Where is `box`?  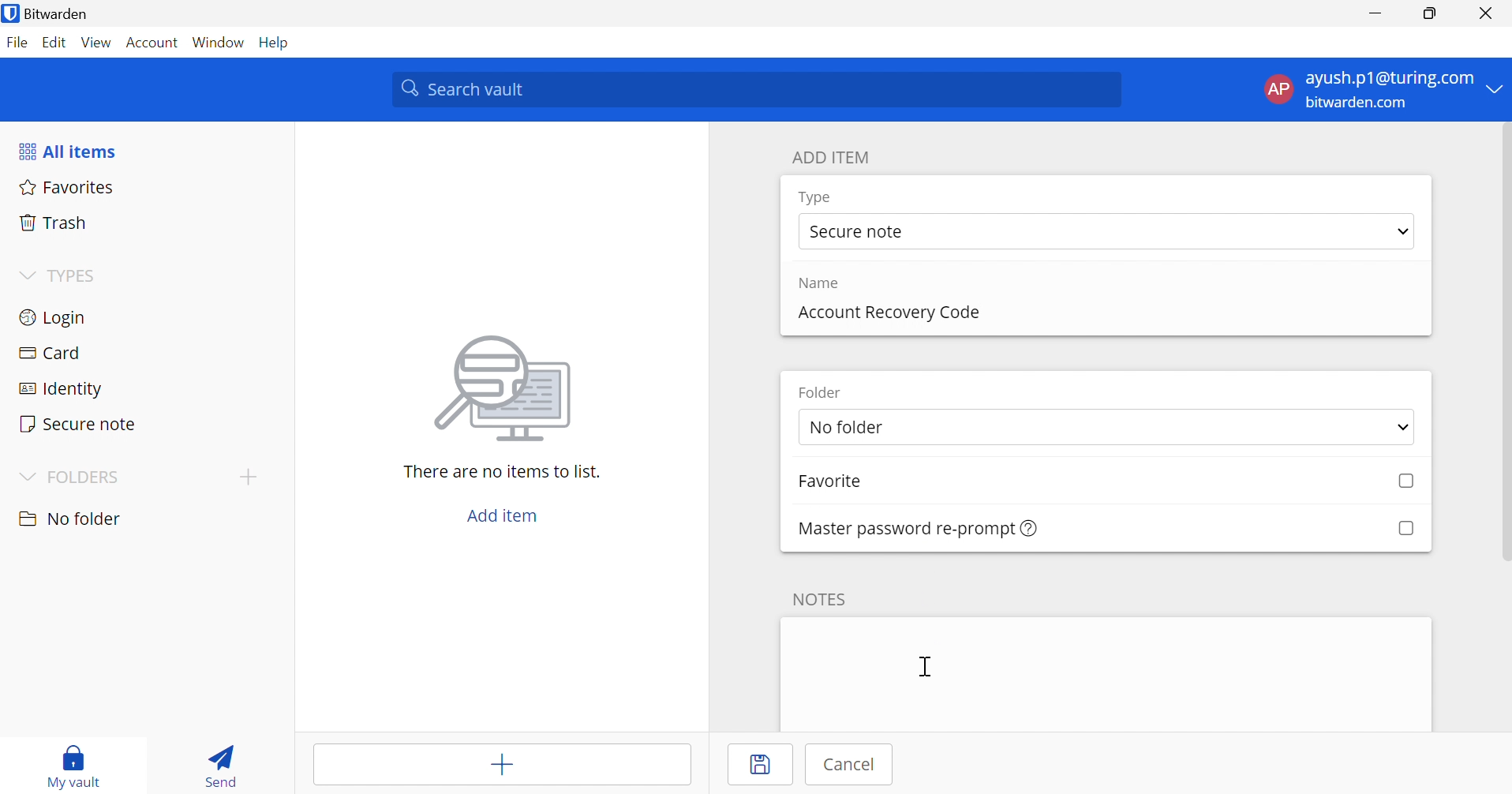 box is located at coordinates (1405, 527).